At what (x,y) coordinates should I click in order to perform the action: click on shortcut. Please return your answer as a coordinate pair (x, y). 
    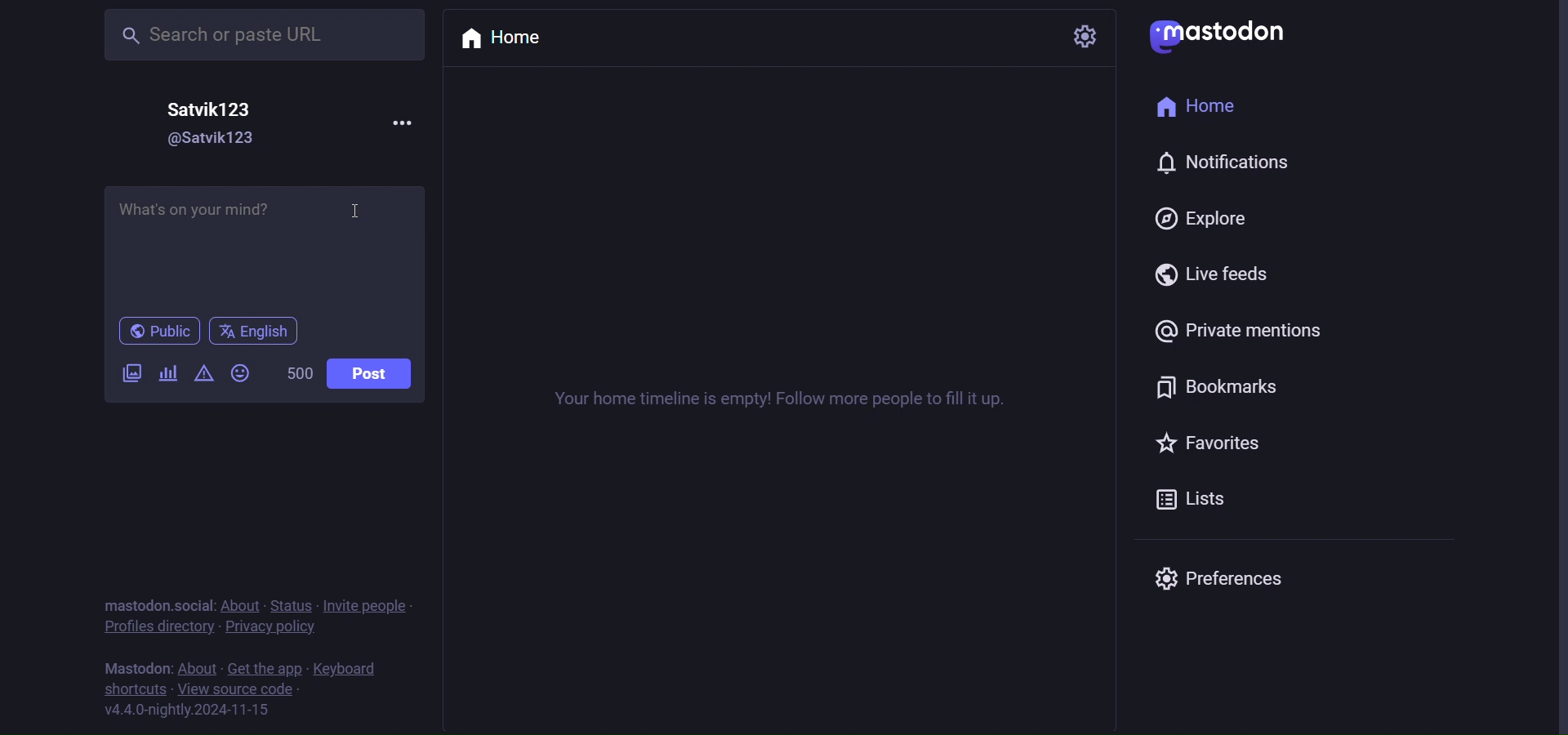
    Looking at the image, I should click on (135, 691).